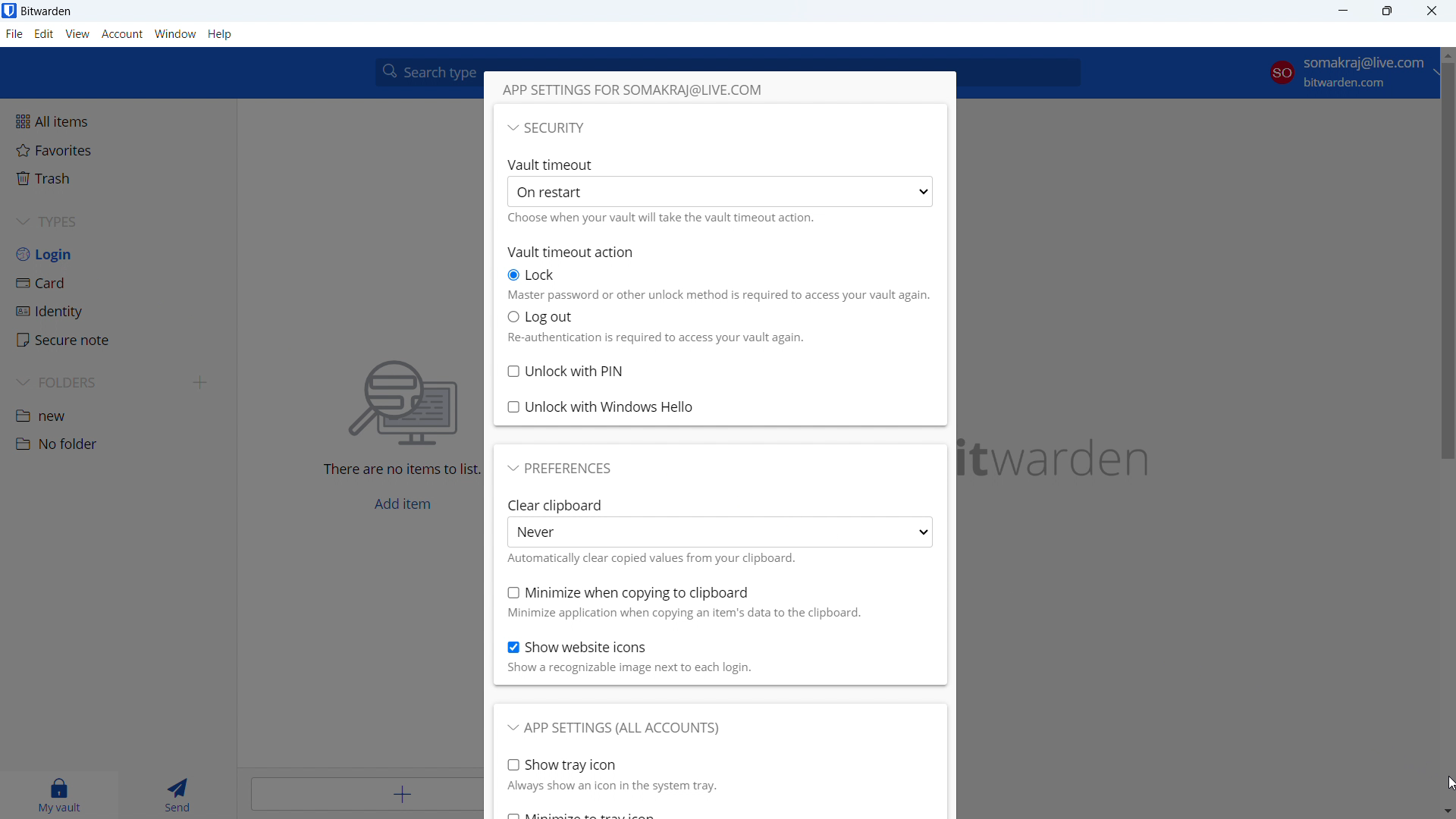 The height and width of the screenshot is (819, 1456). Describe the element at coordinates (720, 532) in the screenshot. I see `never` at that location.